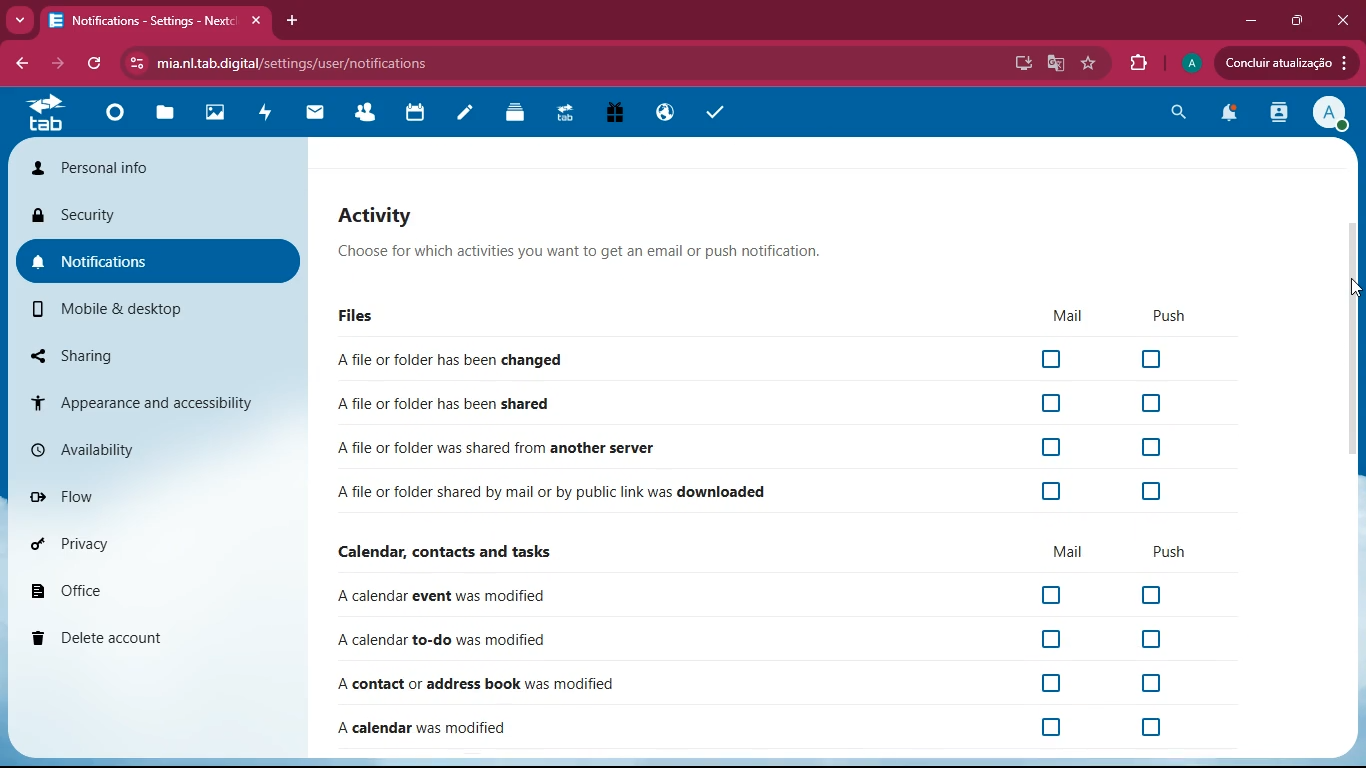 This screenshot has width=1366, height=768. I want to click on A contact or address book was modified, so click(478, 685).